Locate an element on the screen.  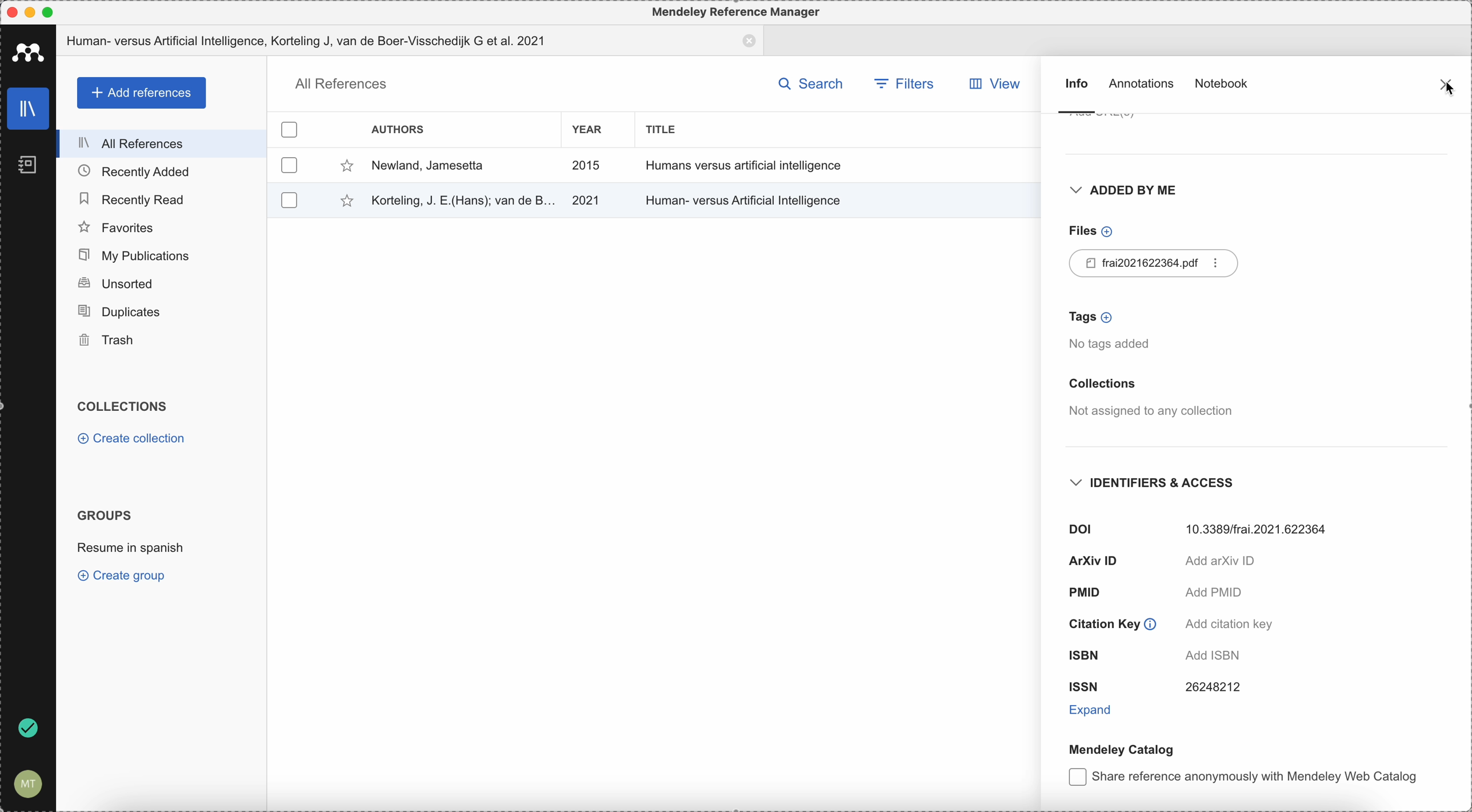
search is located at coordinates (811, 82).